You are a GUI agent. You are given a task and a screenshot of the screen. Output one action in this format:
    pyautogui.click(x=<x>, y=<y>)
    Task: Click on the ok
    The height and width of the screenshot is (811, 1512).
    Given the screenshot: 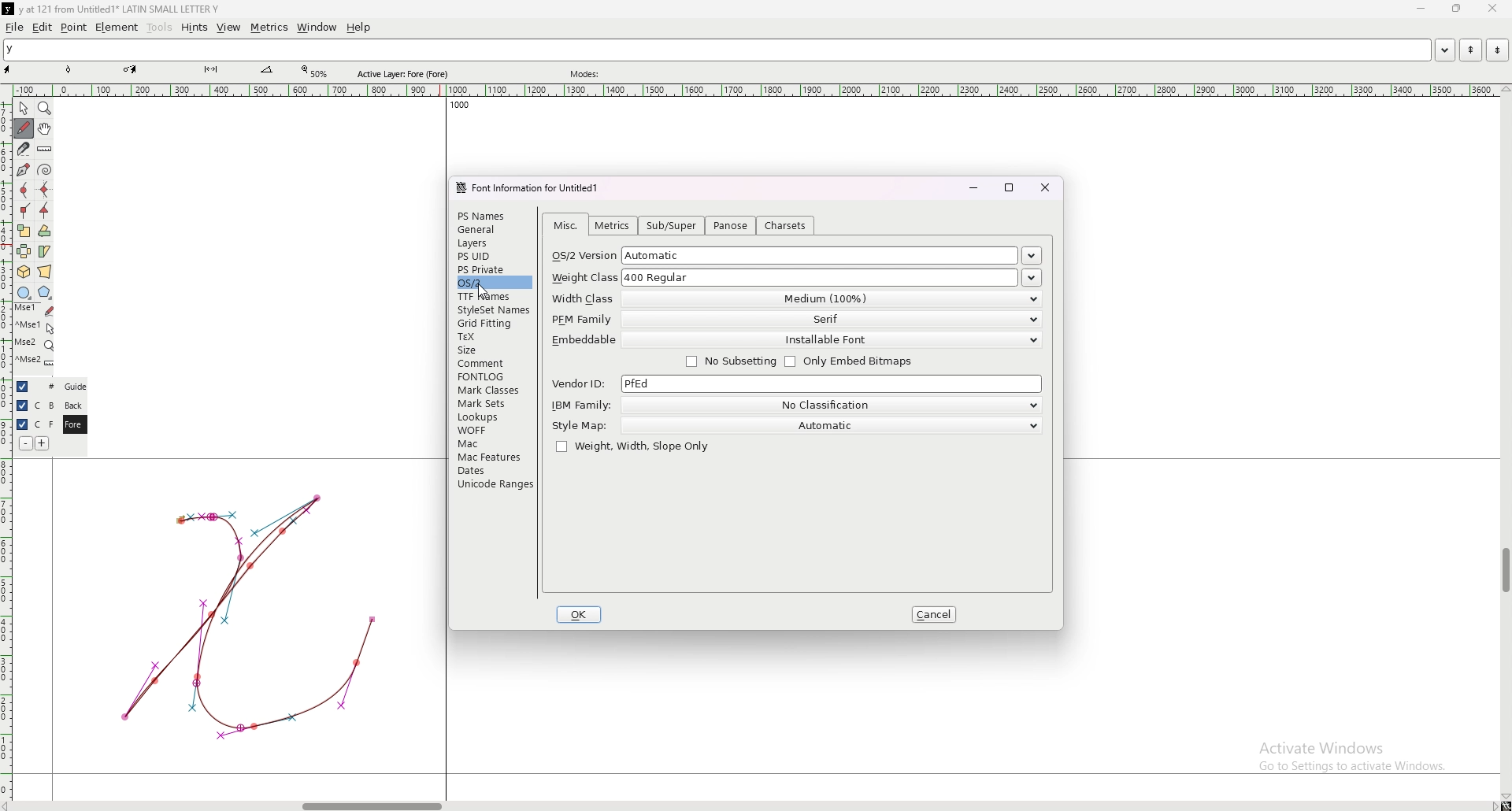 What is the action you would take?
    pyautogui.click(x=579, y=615)
    